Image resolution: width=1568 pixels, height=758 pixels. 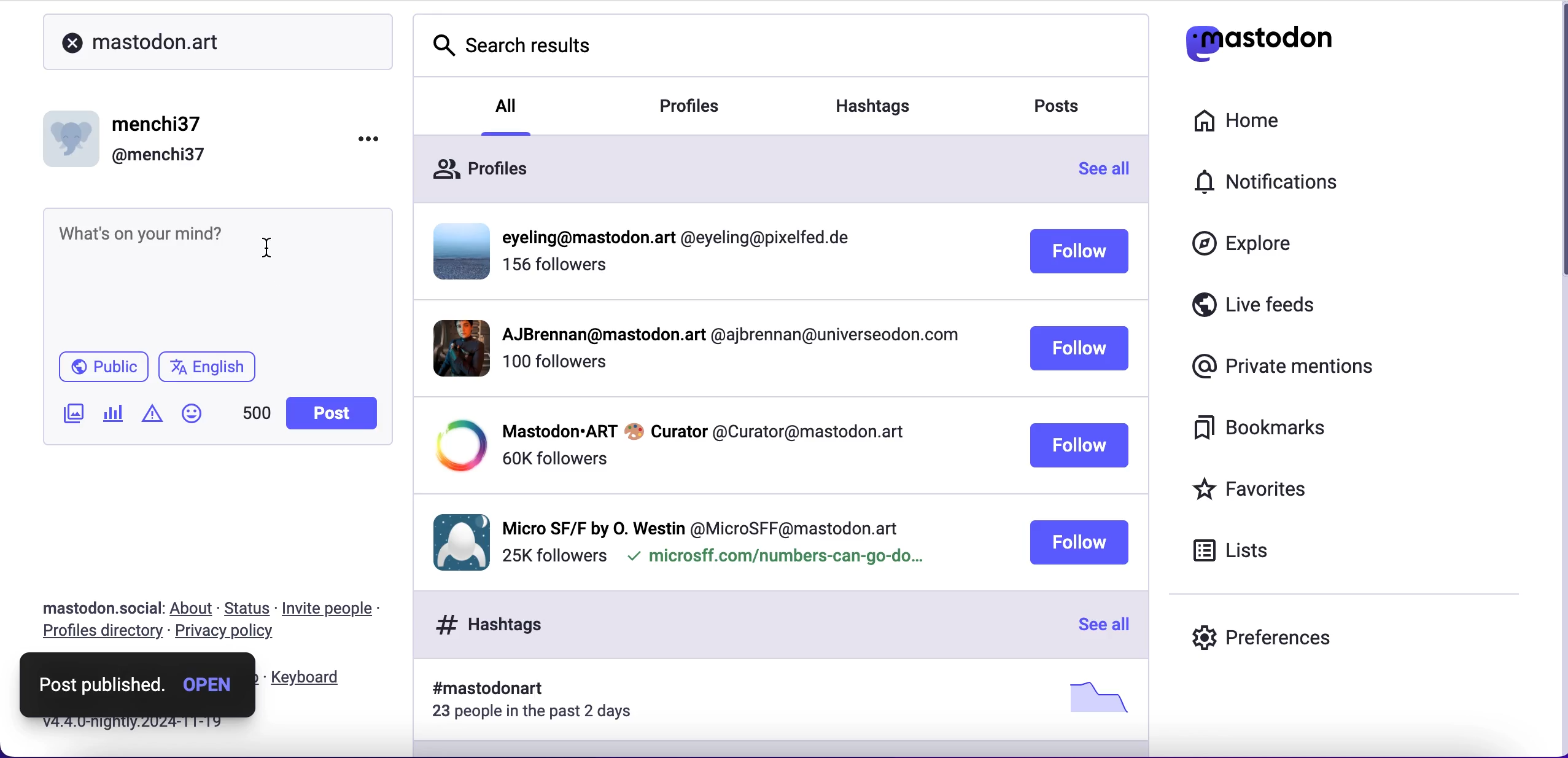 I want to click on options, so click(x=370, y=138).